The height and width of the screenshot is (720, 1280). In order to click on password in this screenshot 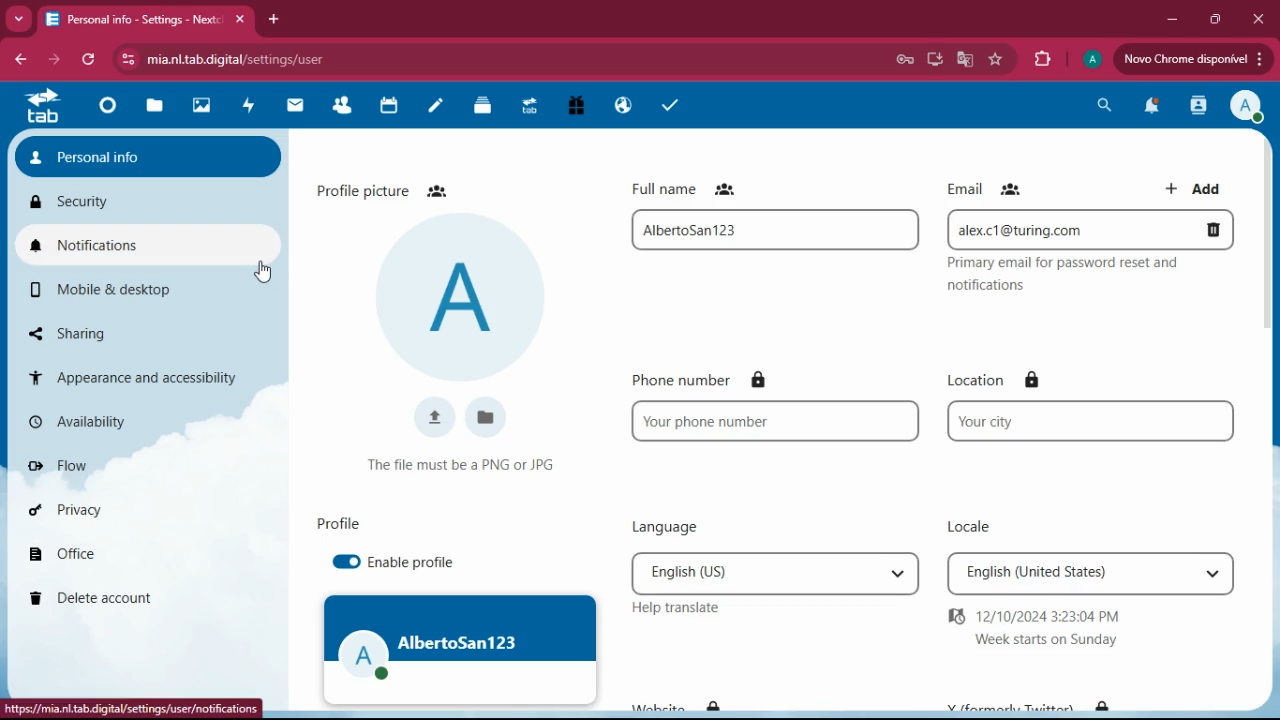, I will do `click(904, 60)`.